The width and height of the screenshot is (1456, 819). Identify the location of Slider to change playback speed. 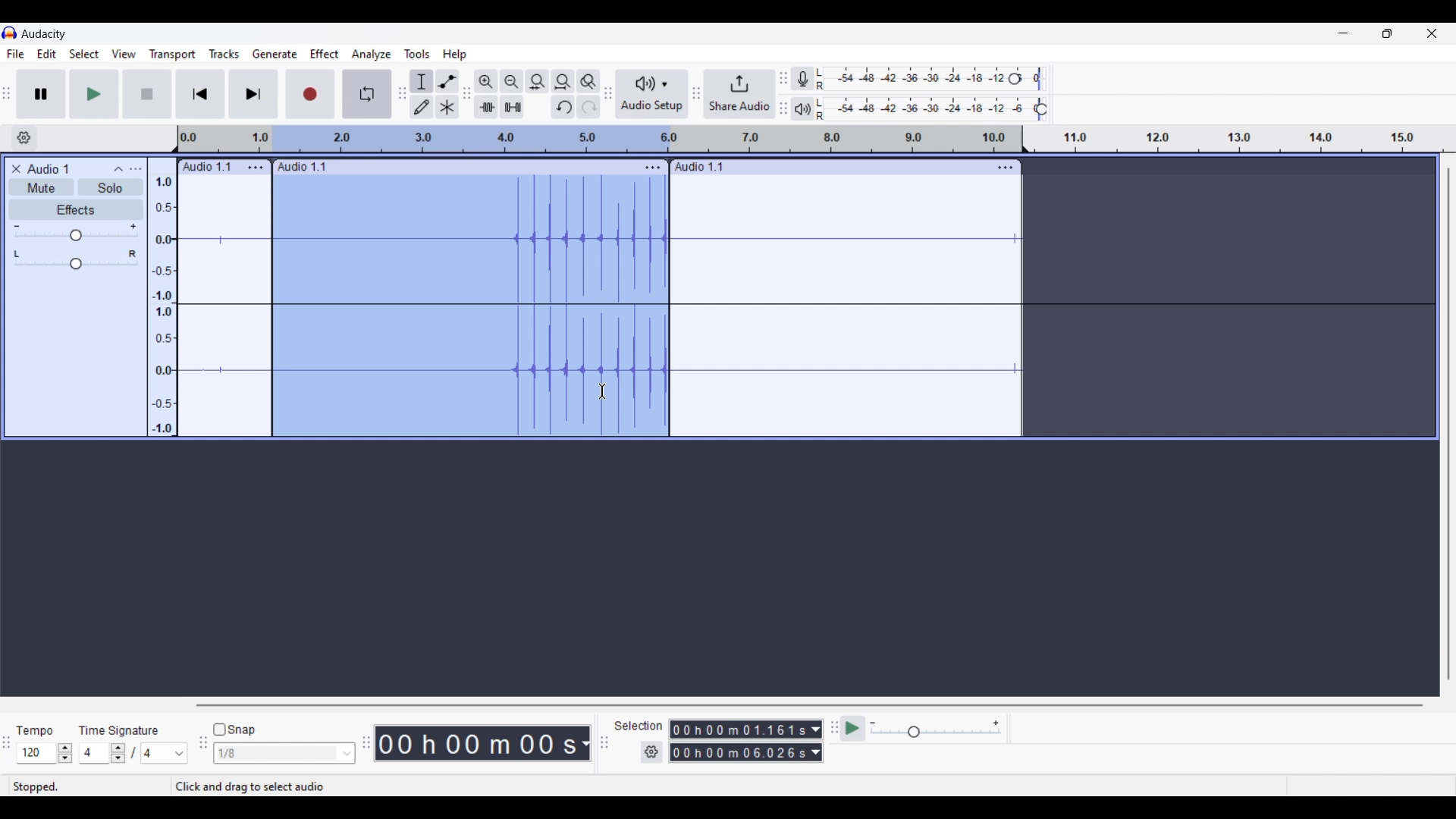
(936, 733).